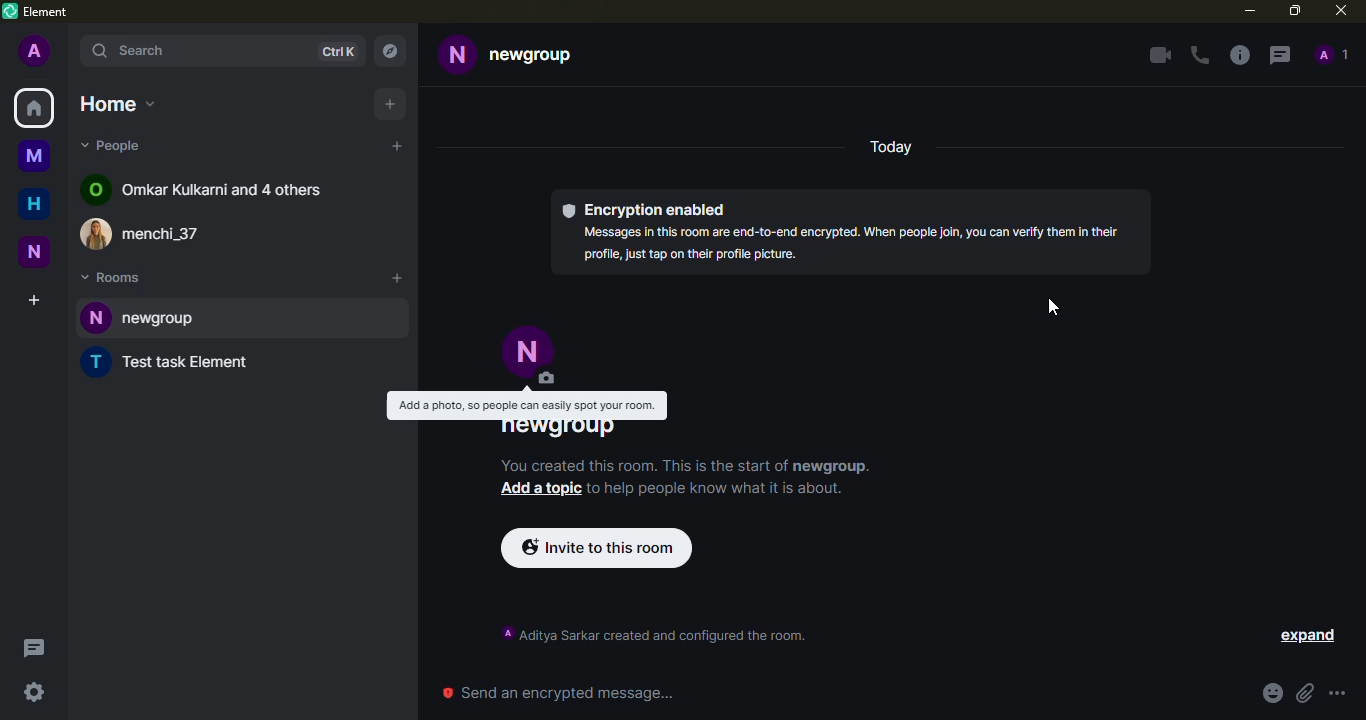  I want to click on Current profile picture, so click(457, 55).